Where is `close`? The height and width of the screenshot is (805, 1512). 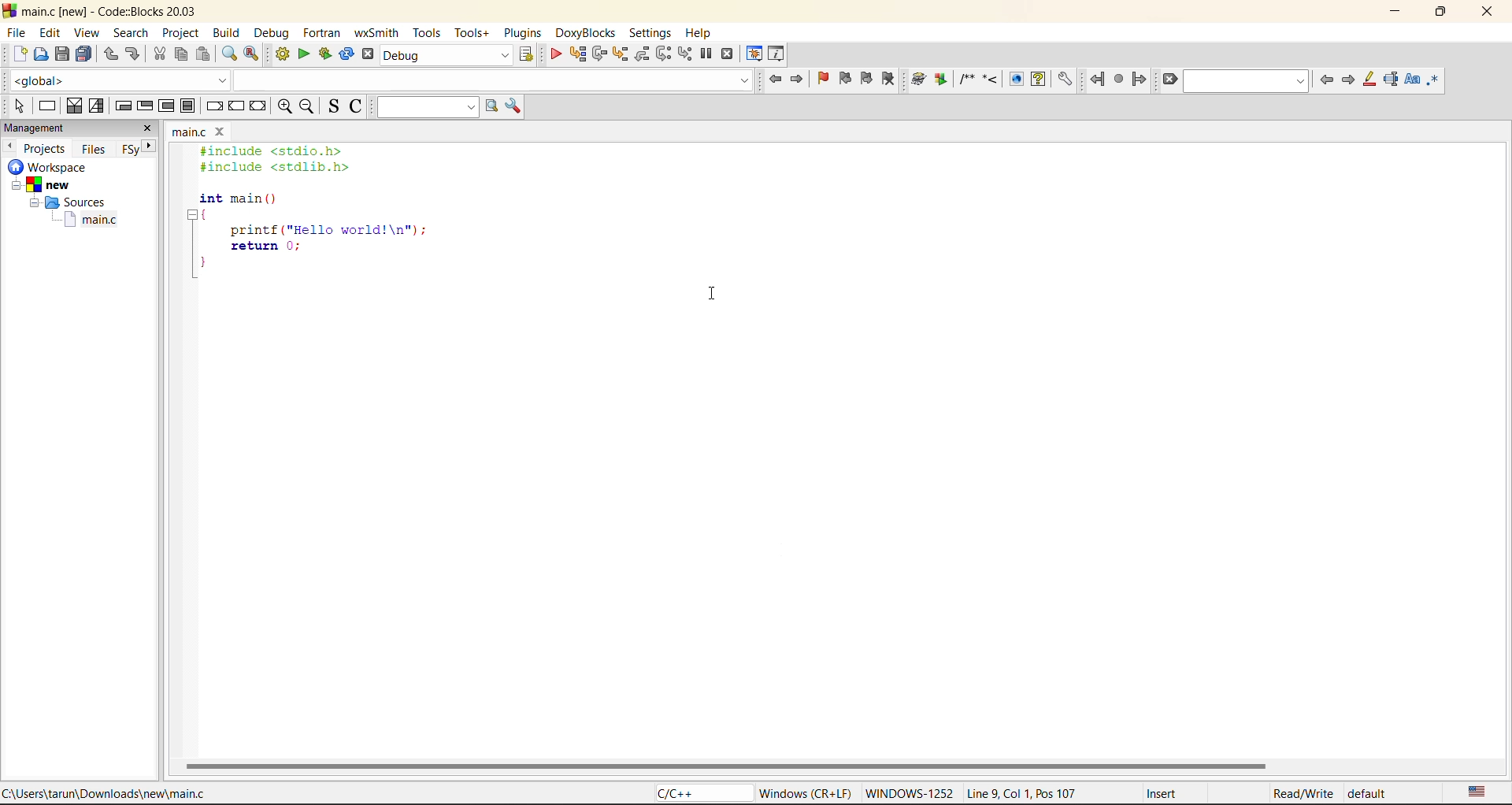
close is located at coordinates (1488, 15).